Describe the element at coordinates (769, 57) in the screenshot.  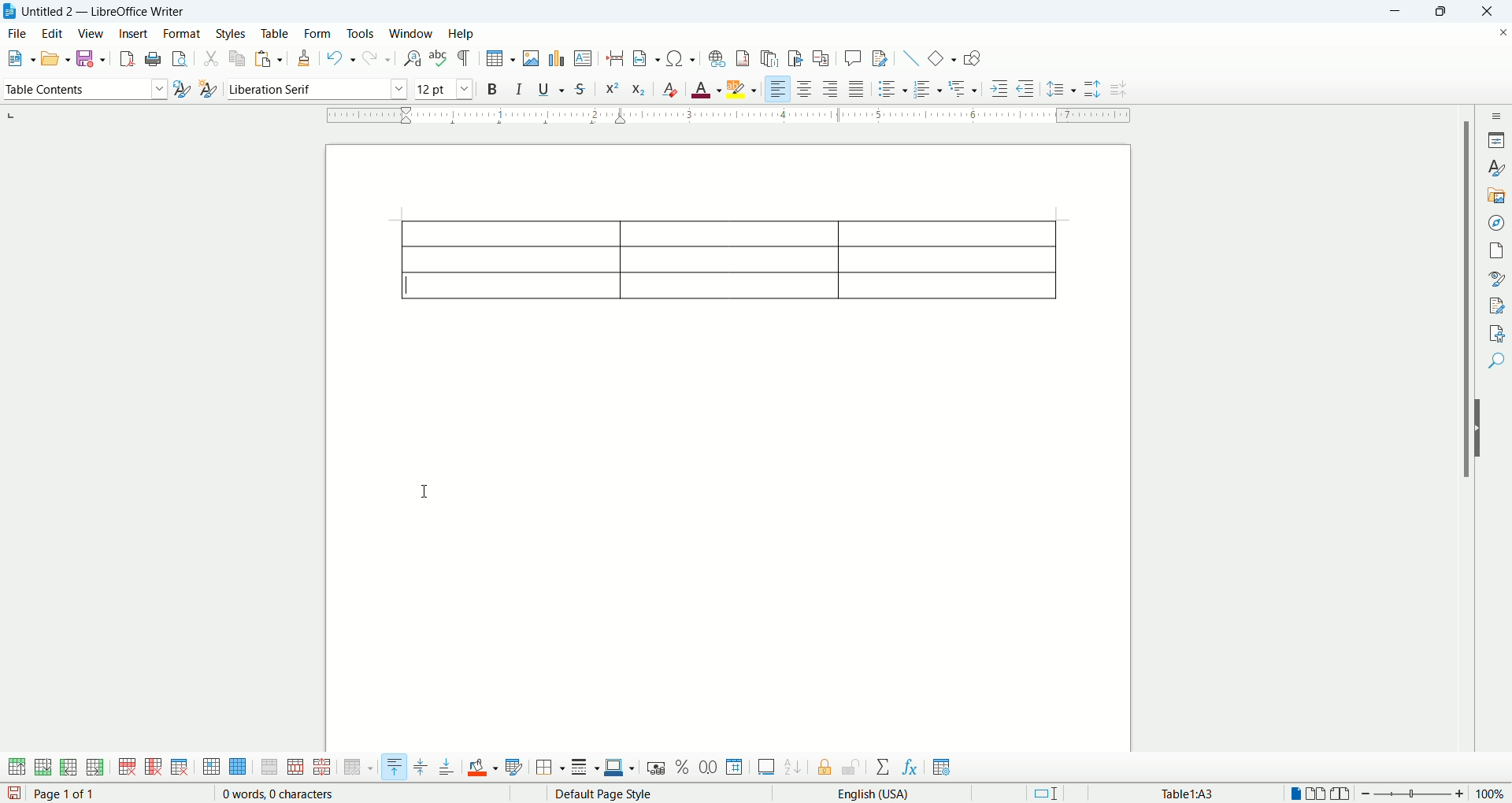
I see `insert endnote` at that location.